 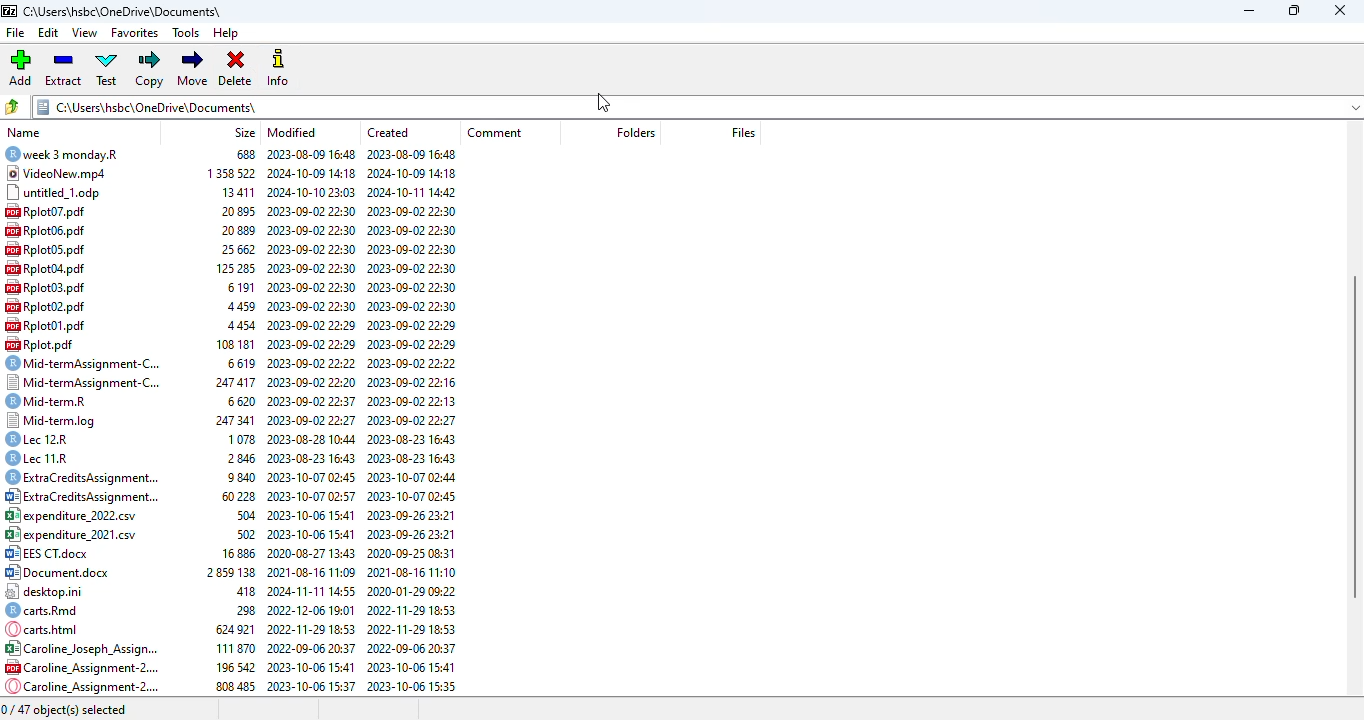 I want to click on 2023-09-02 22:30, so click(x=411, y=268).